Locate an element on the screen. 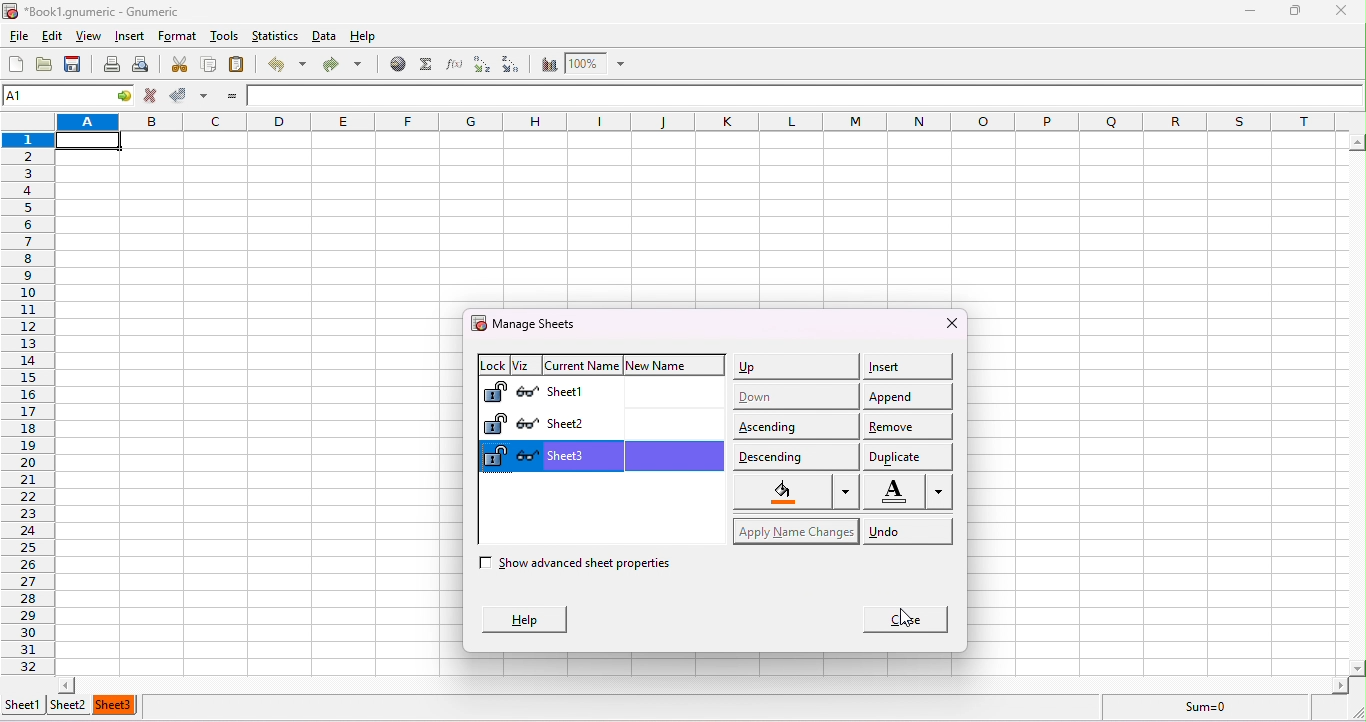  descending is located at coordinates (794, 454).